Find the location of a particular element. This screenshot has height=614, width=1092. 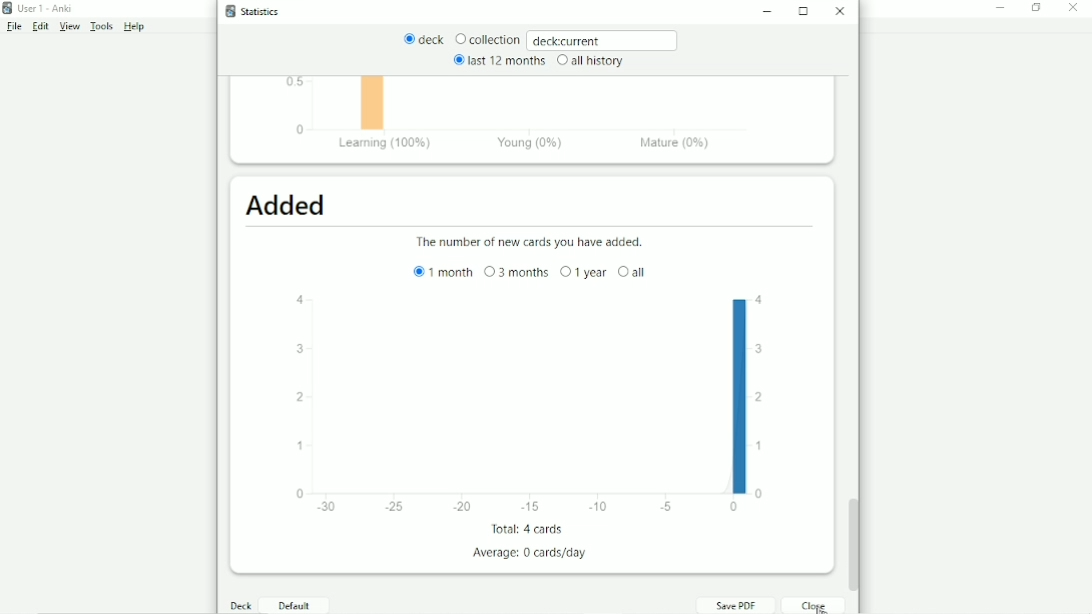

User 1 - Anki is located at coordinates (45, 8).